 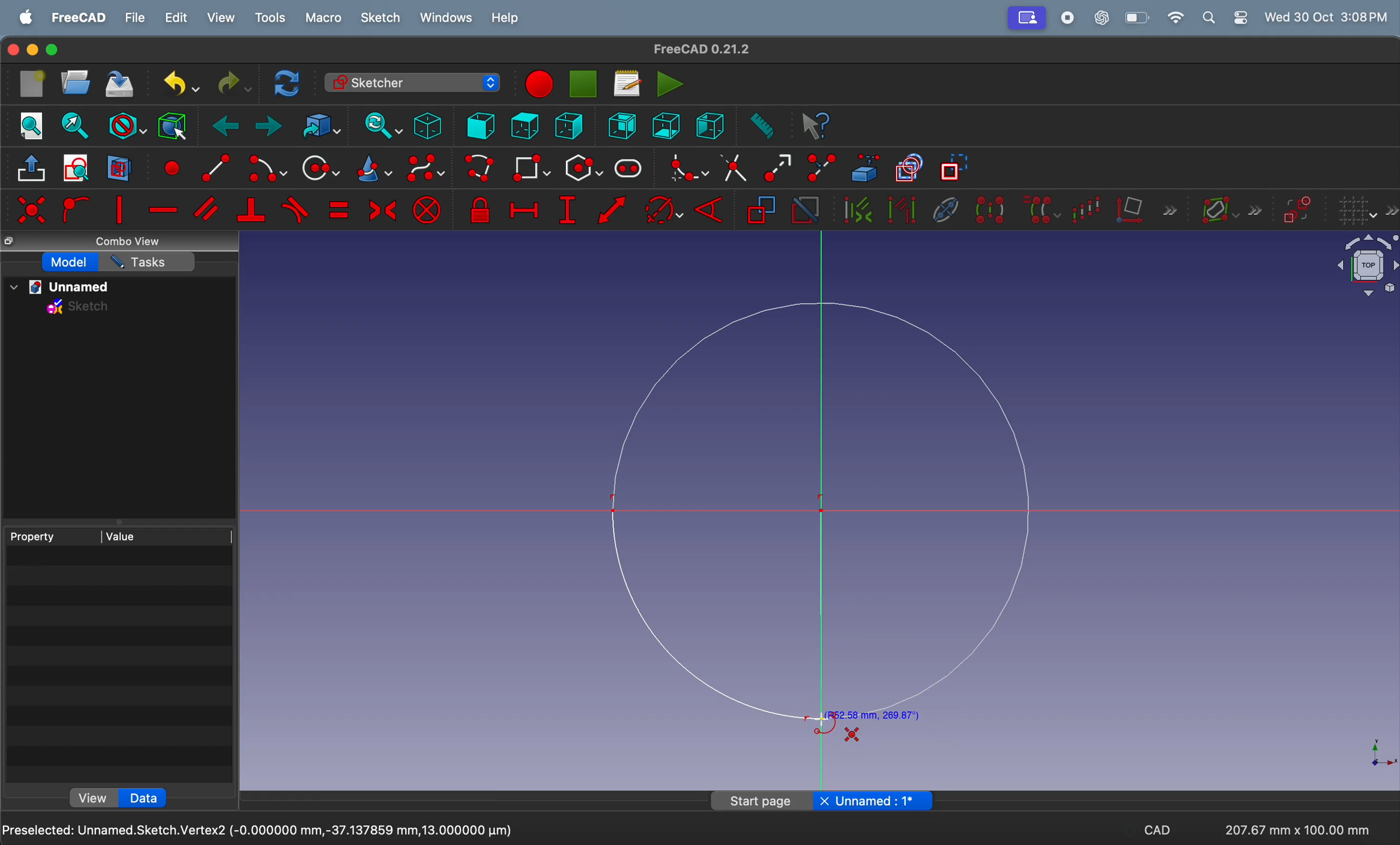 What do you see at coordinates (761, 211) in the screenshot?
I see `reference constarint` at bounding box center [761, 211].